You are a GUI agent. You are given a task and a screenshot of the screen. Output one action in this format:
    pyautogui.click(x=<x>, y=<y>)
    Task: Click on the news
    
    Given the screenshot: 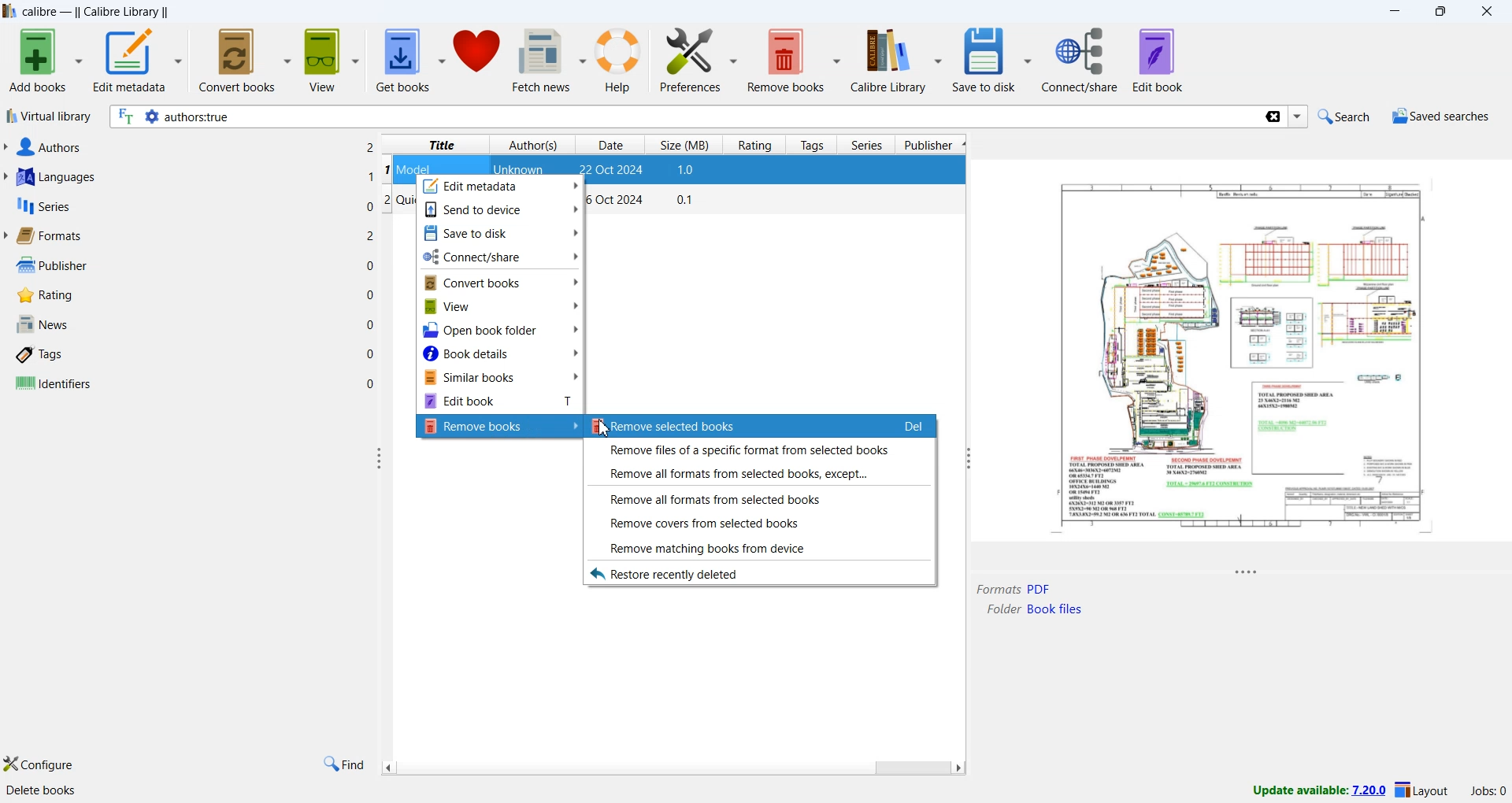 What is the action you would take?
    pyautogui.click(x=41, y=325)
    